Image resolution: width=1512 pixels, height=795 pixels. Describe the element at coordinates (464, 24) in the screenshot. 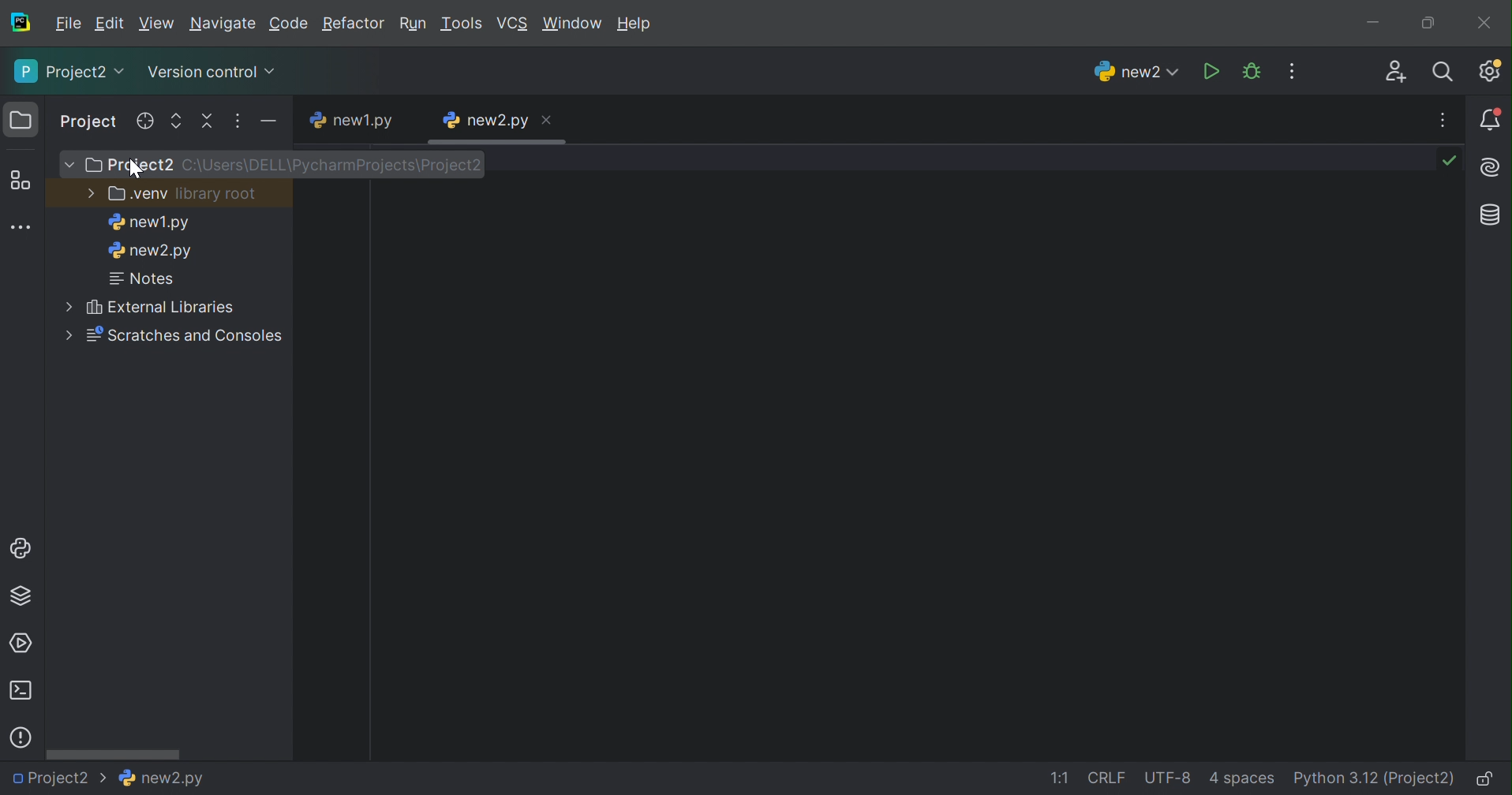

I see `Tools` at that location.